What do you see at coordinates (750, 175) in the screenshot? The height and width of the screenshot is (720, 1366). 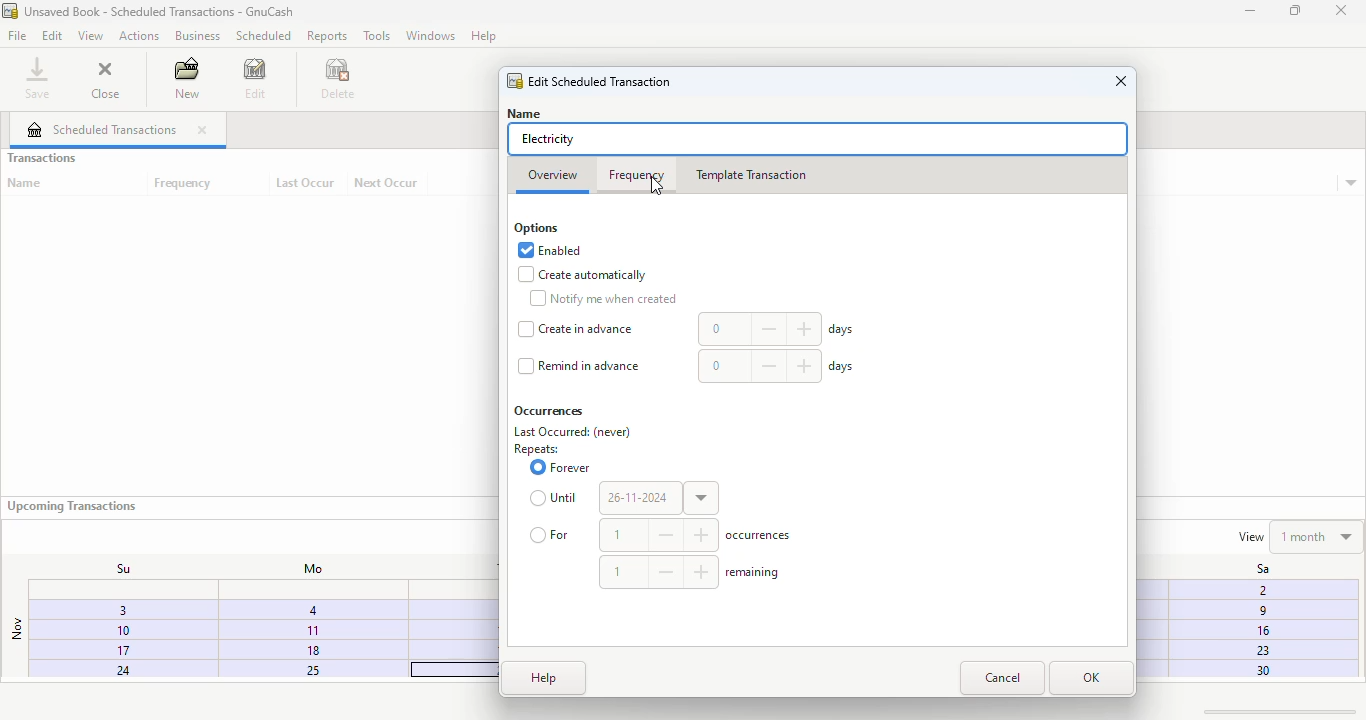 I see `template transaction` at bounding box center [750, 175].